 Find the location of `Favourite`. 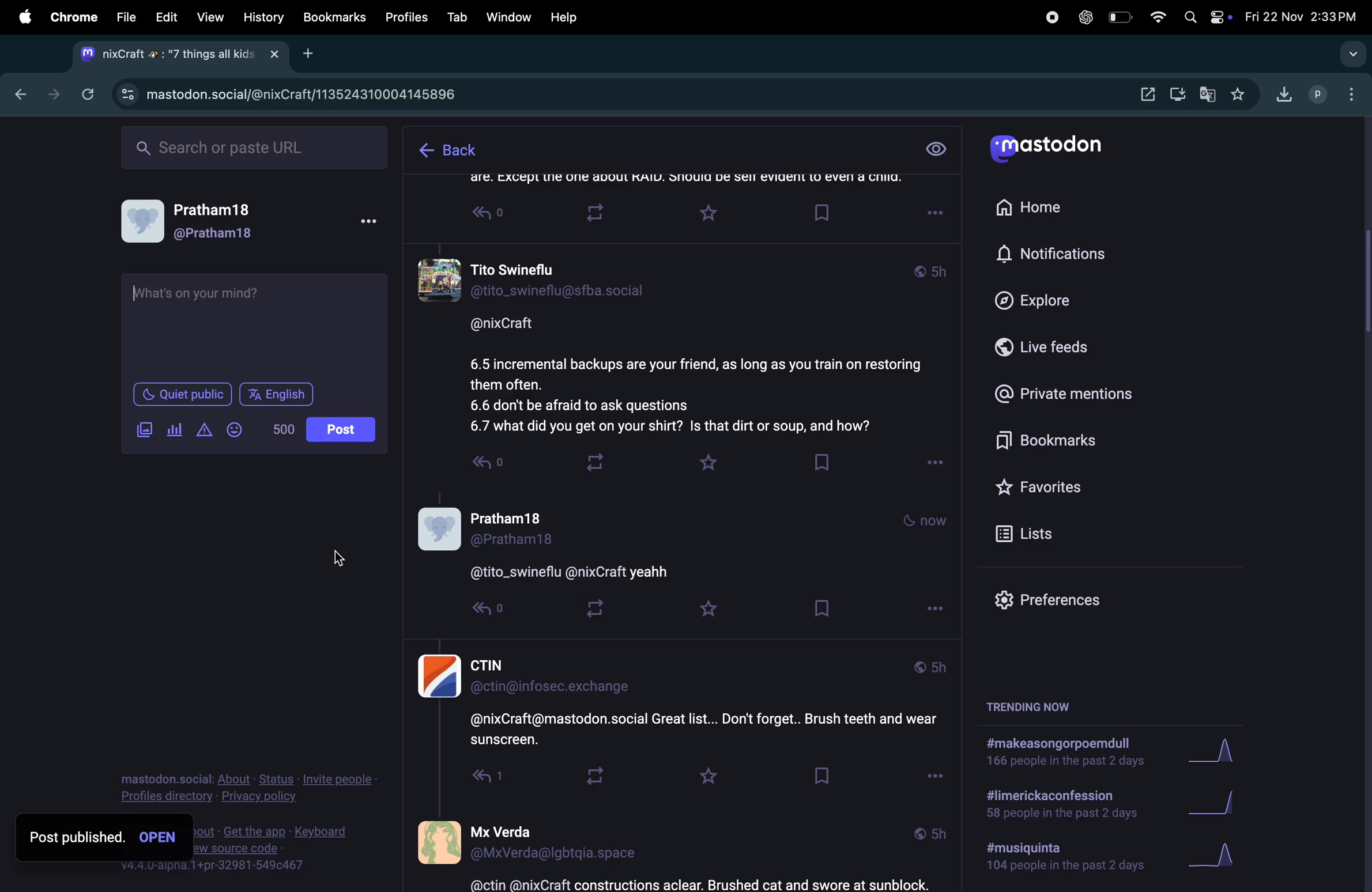

Favourite is located at coordinates (705, 607).